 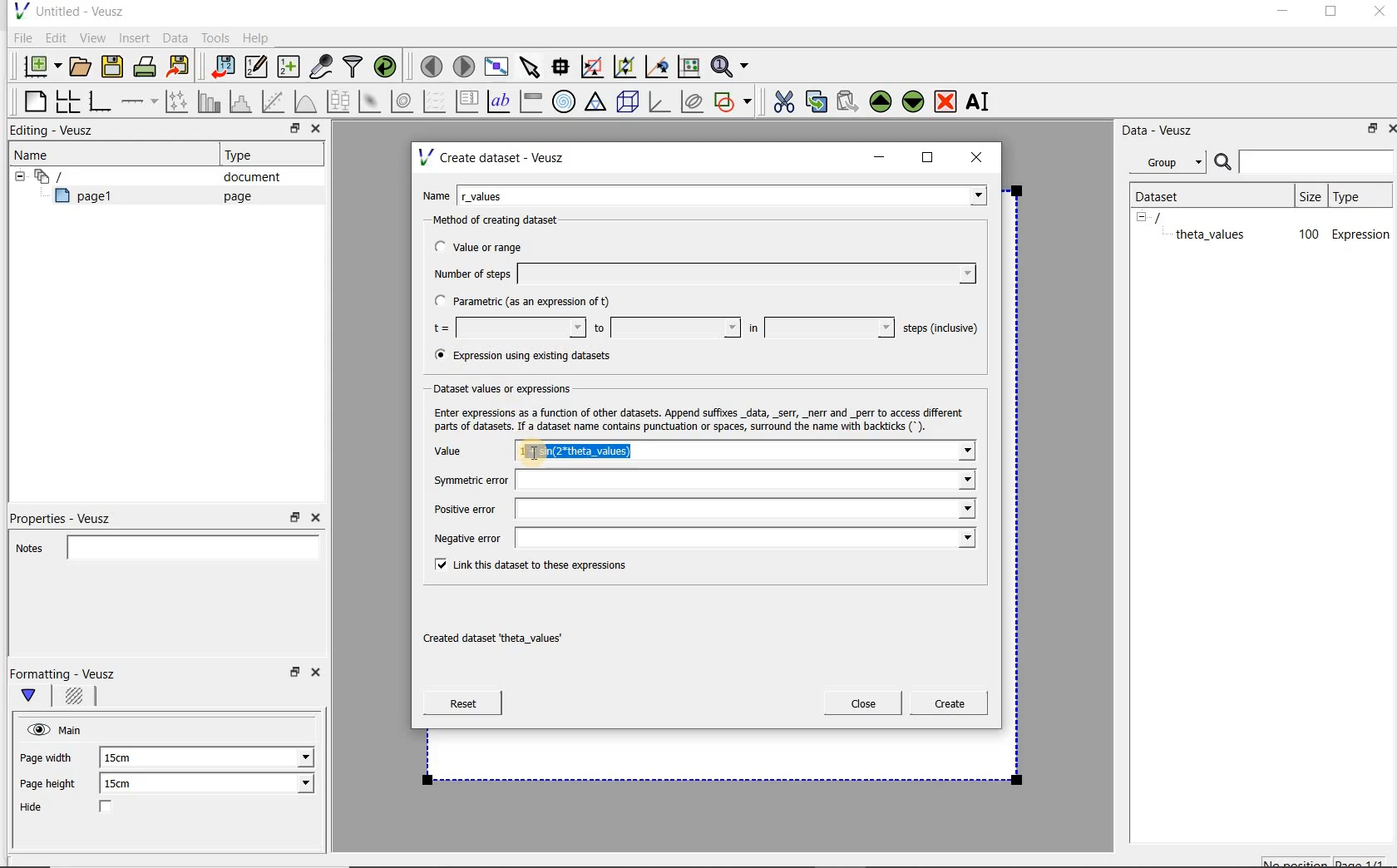 I want to click on page, so click(x=234, y=196).